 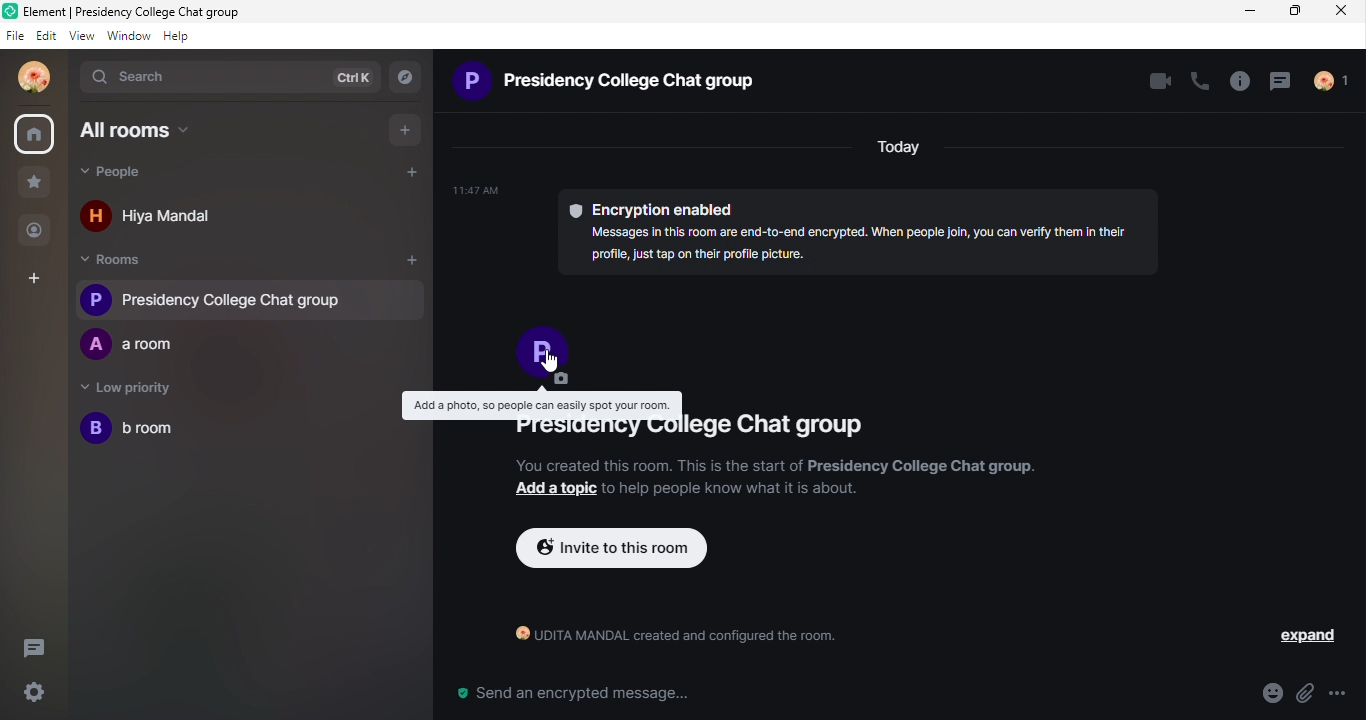 What do you see at coordinates (551, 489) in the screenshot?
I see `‘Add a topic` at bounding box center [551, 489].